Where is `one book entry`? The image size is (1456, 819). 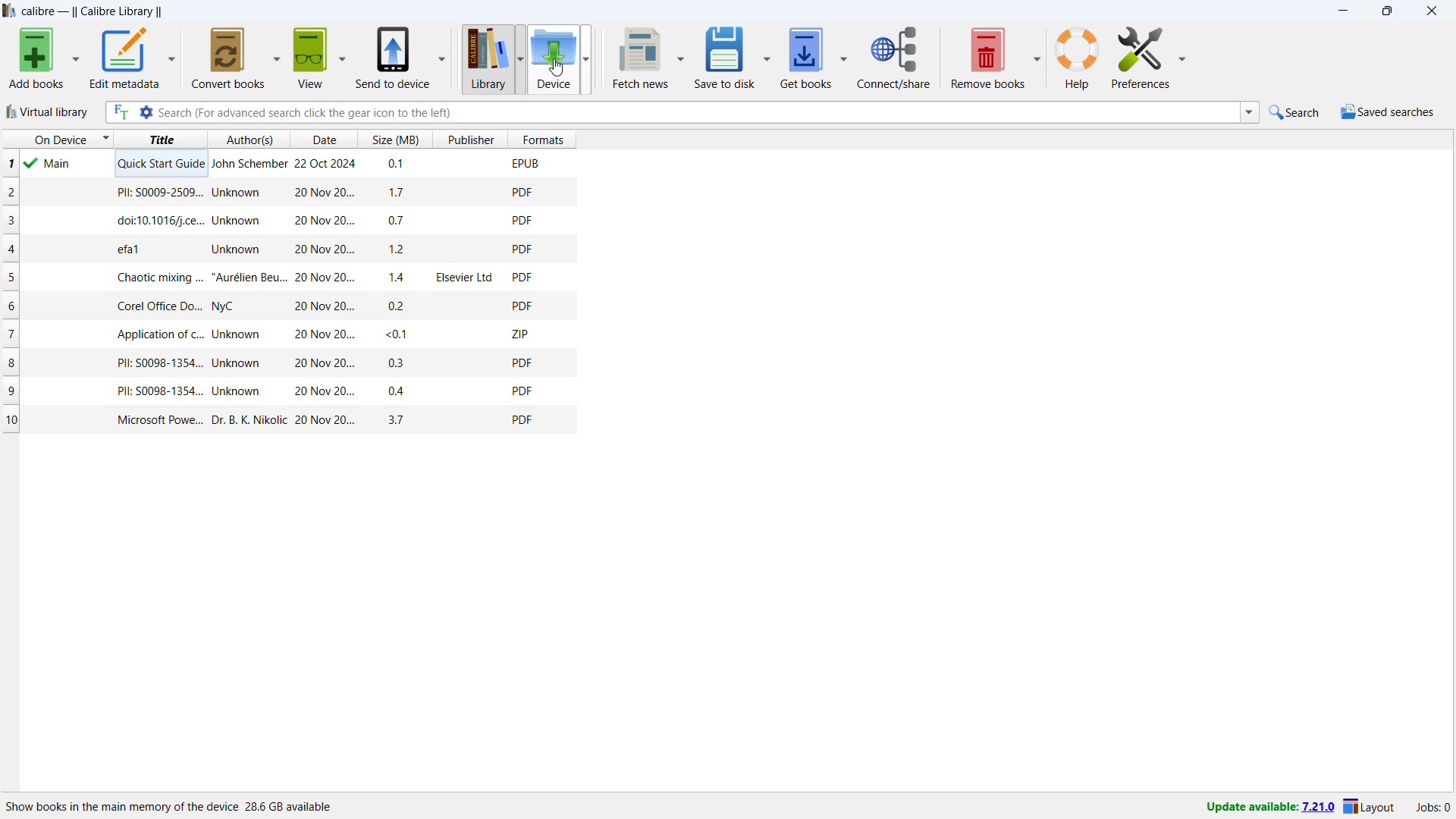 one book entry is located at coordinates (292, 365).